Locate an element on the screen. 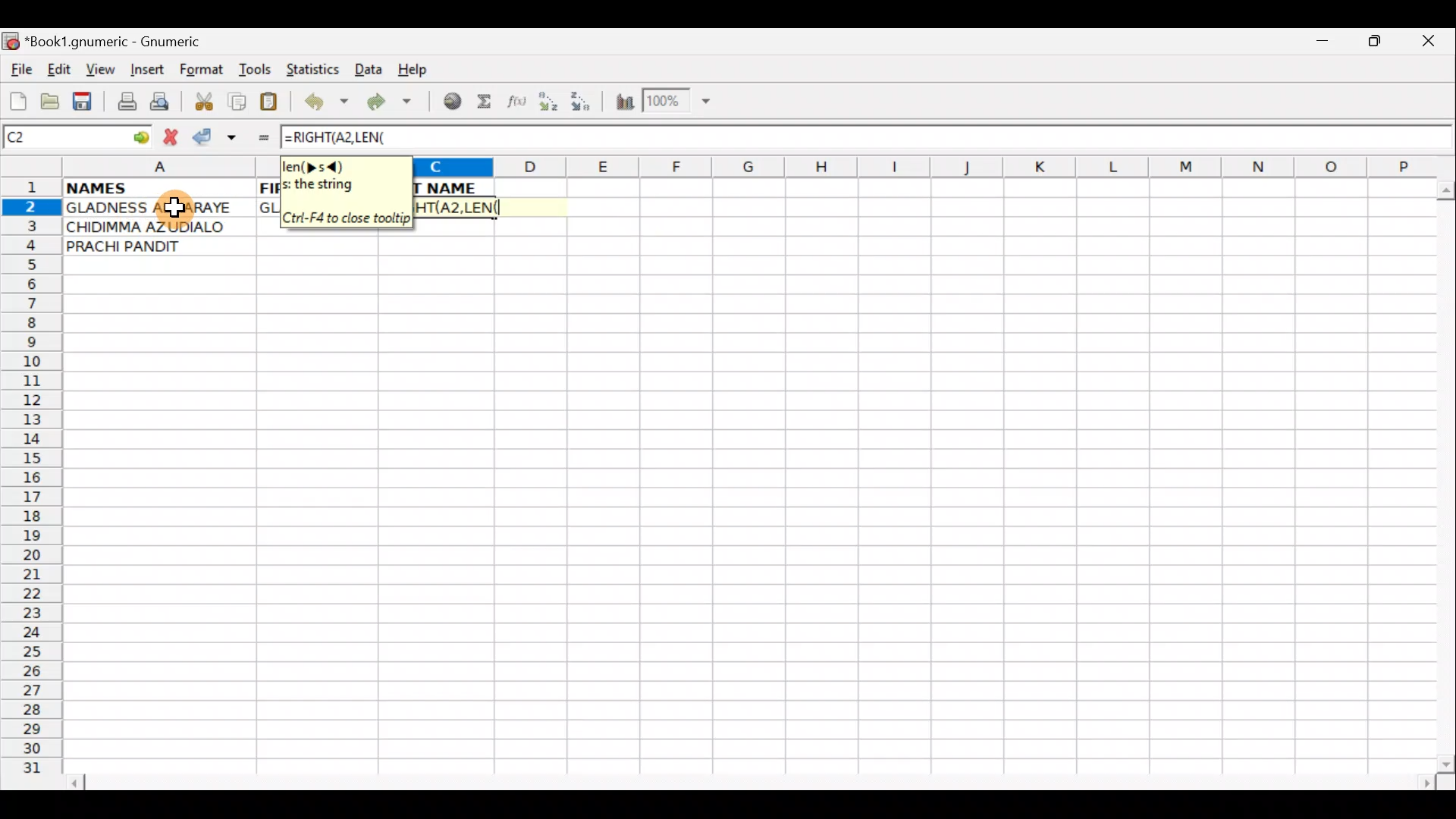 This screenshot has width=1456, height=819. Insert is located at coordinates (146, 70).